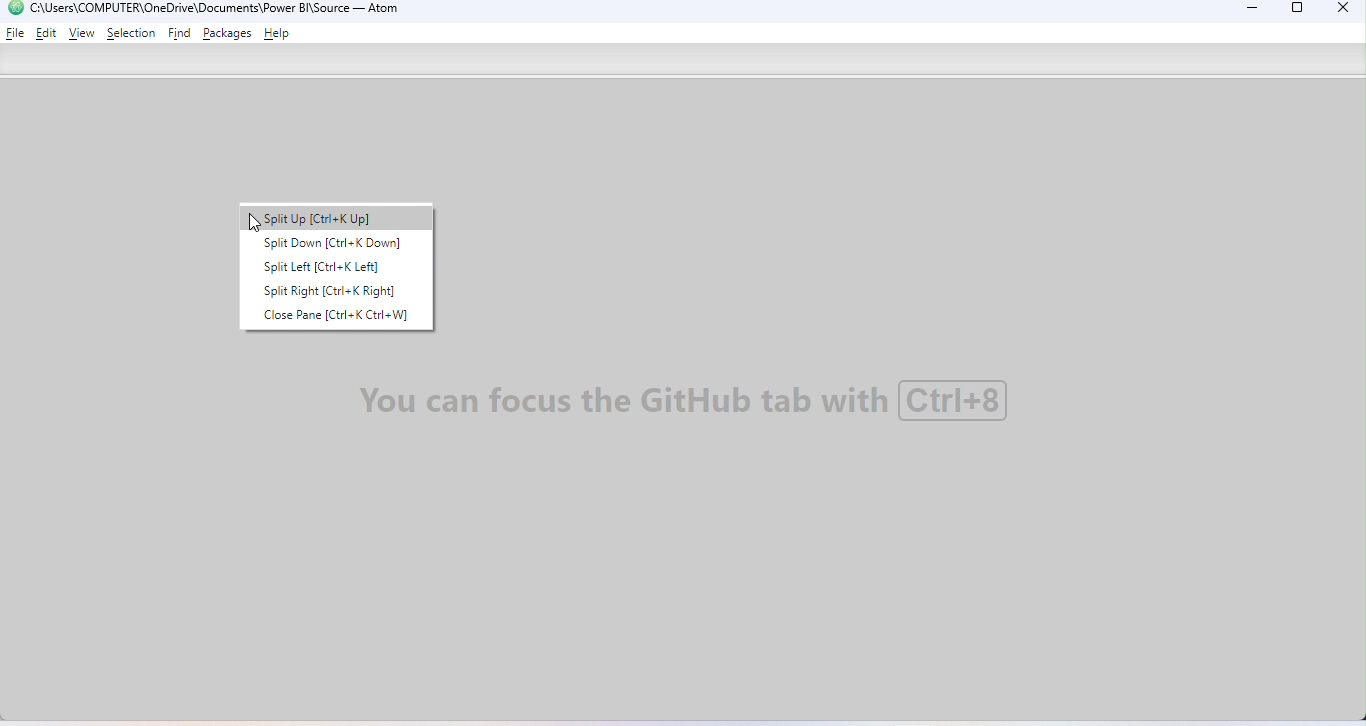 The width and height of the screenshot is (1366, 726). I want to click on Split right, so click(337, 290).